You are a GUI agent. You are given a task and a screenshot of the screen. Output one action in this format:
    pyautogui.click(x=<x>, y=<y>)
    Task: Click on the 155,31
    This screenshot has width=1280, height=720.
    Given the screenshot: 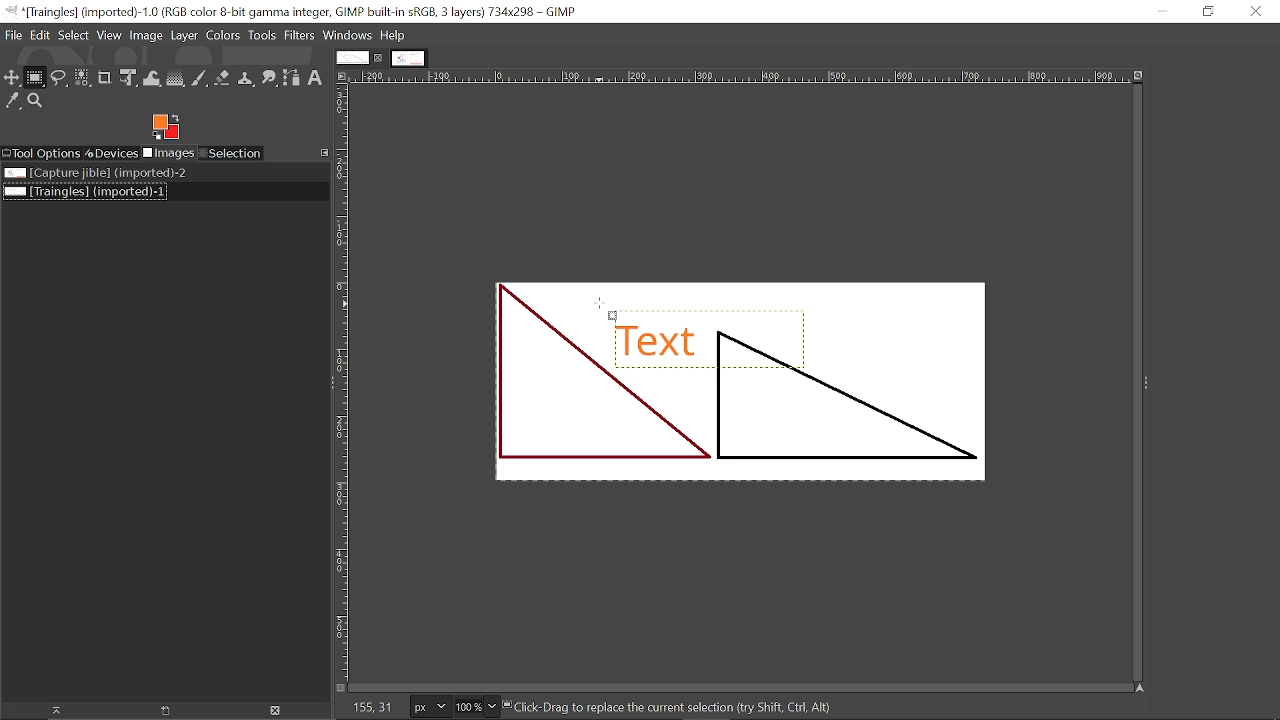 What is the action you would take?
    pyautogui.click(x=370, y=705)
    